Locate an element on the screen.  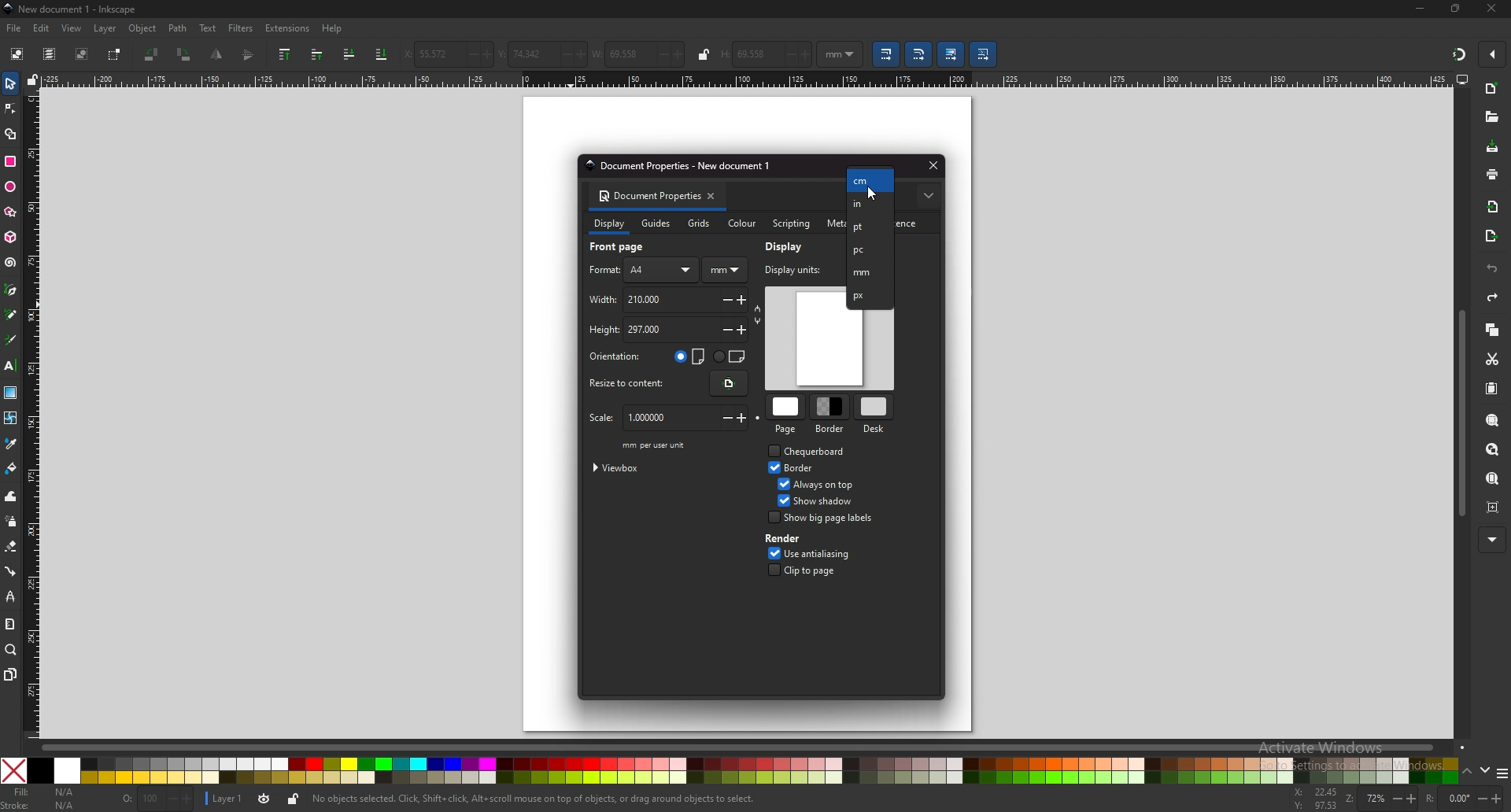
close tab is located at coordinates (715, 196).